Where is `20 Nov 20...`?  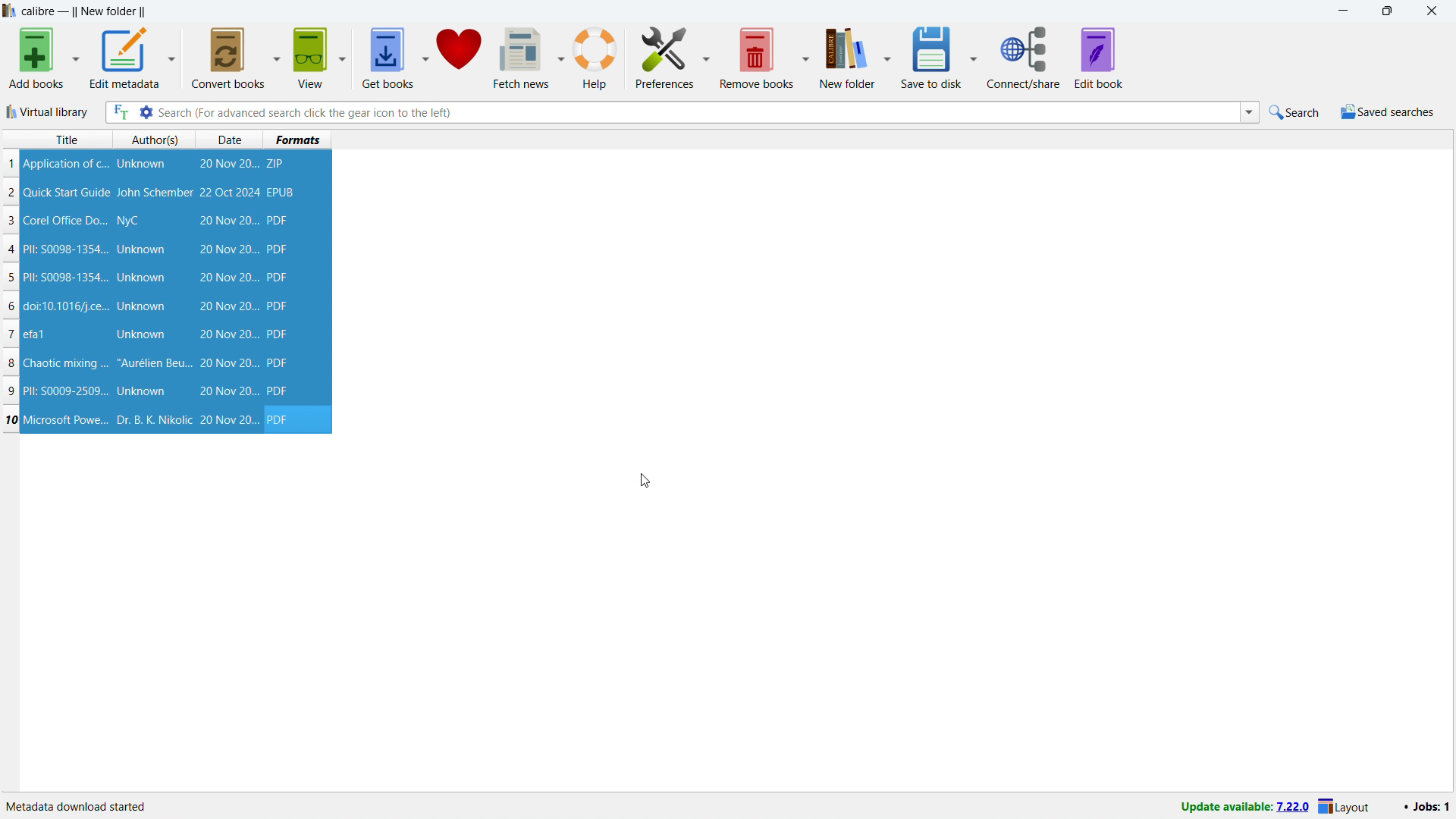 20 Nov 20... is located at coordinates (229, 165).